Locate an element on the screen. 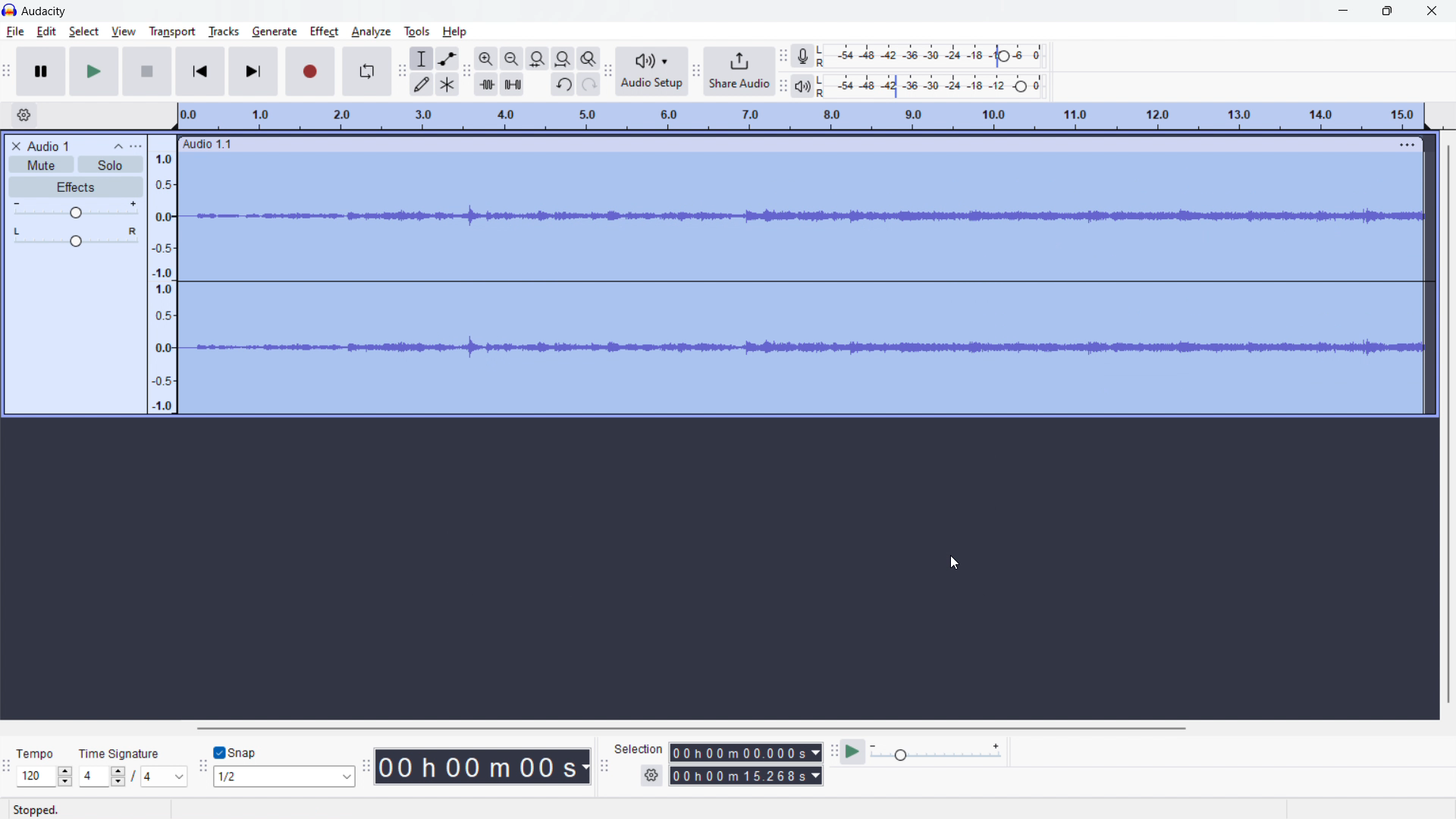 The width and height of the screenshot is (1456, 819). file is located at coordinates (14, 33).